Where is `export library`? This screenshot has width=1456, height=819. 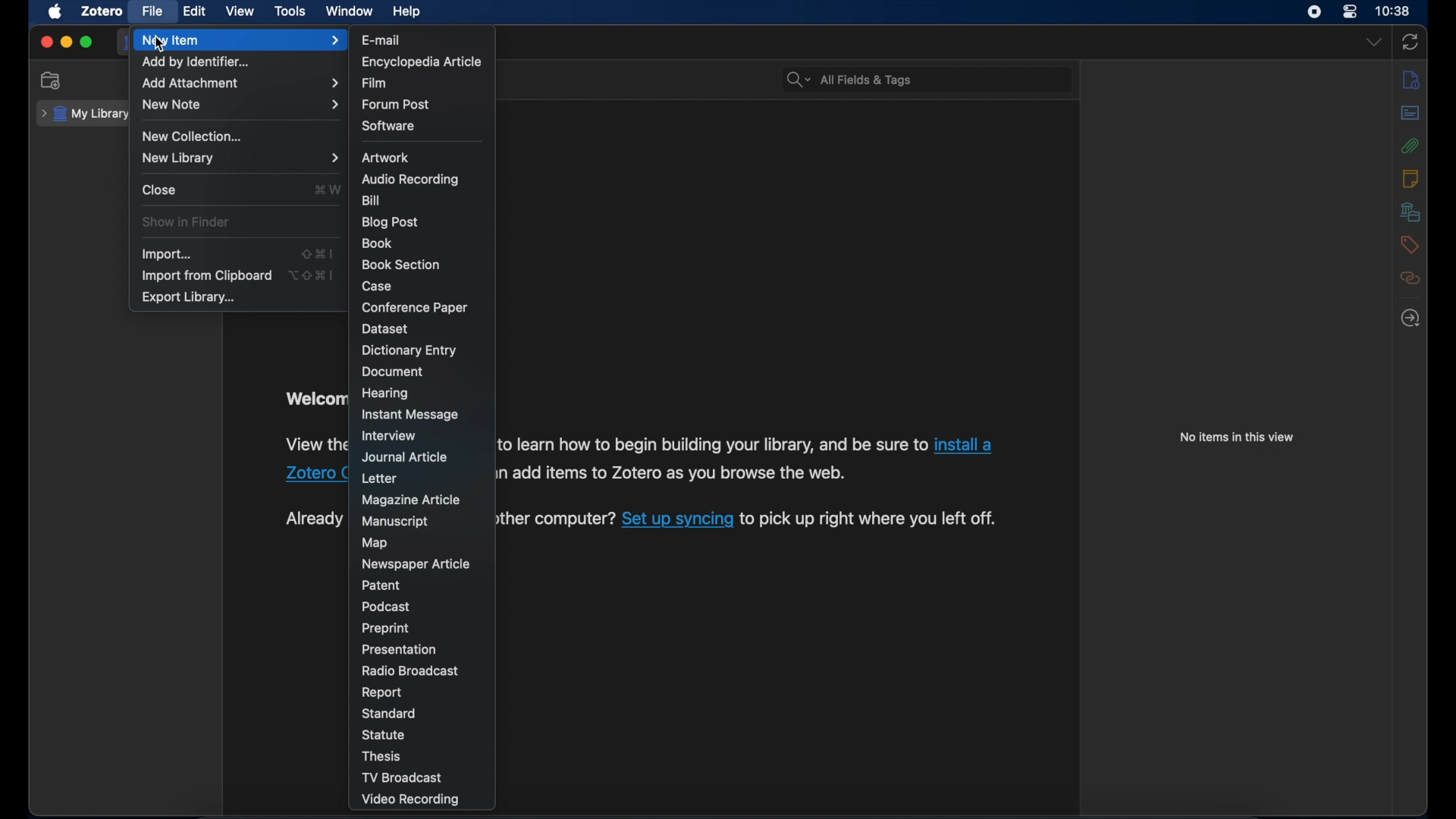
export library is located at coordinates (188, 298).